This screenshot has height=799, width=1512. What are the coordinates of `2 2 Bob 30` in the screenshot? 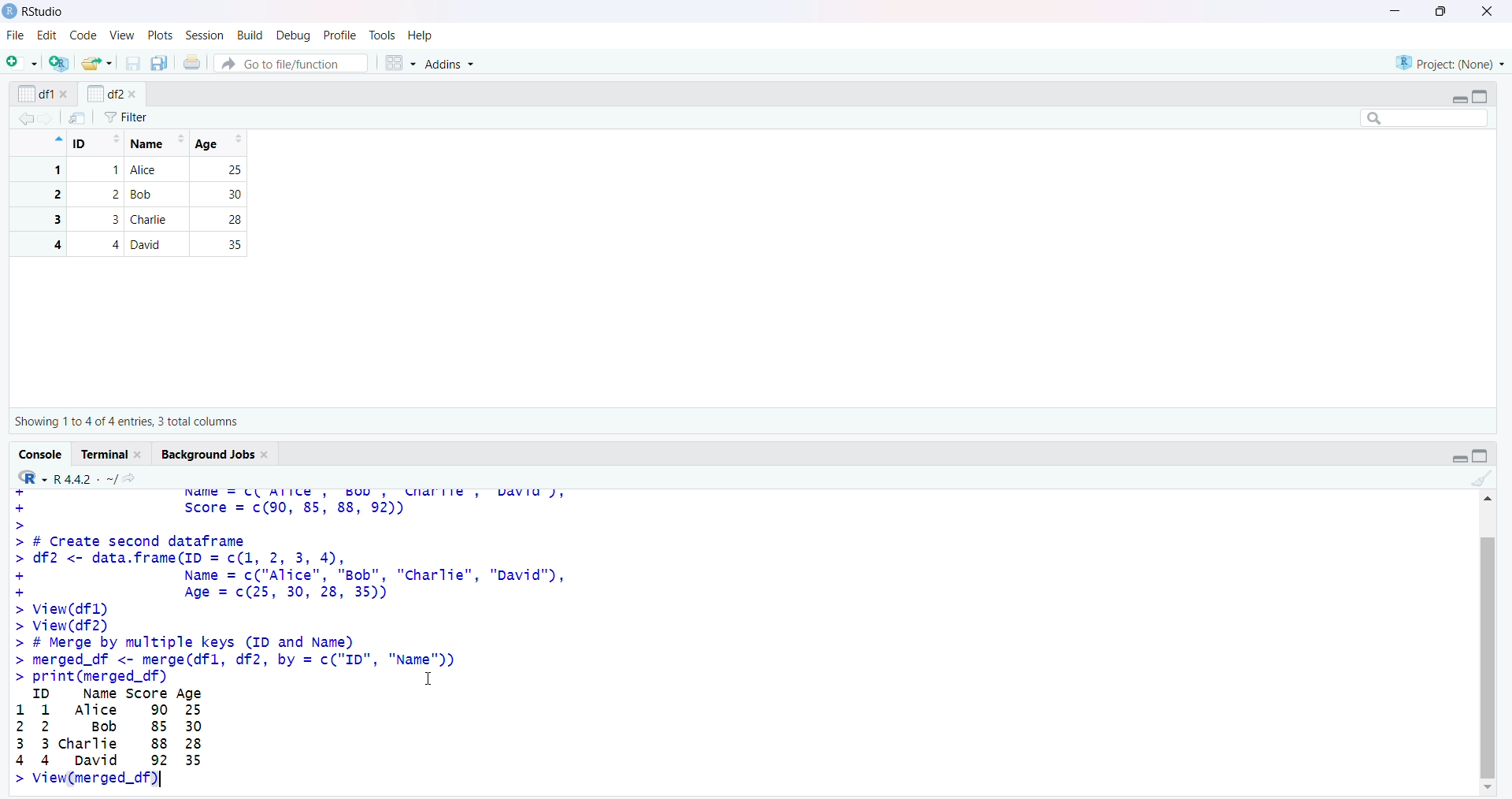 It's located at (135, 195).